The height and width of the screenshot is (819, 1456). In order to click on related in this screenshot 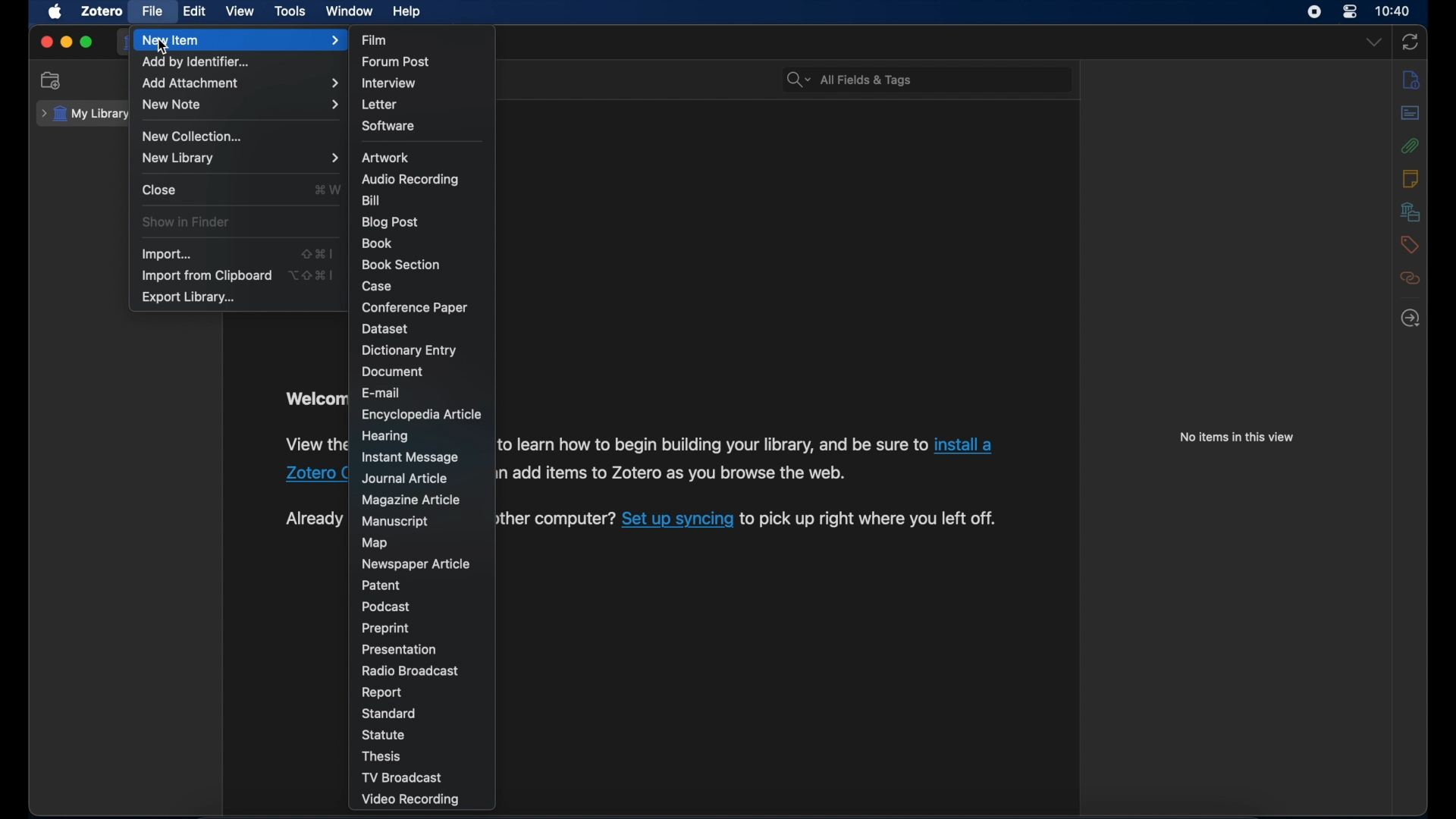, I will do `click(1410, 278)`.